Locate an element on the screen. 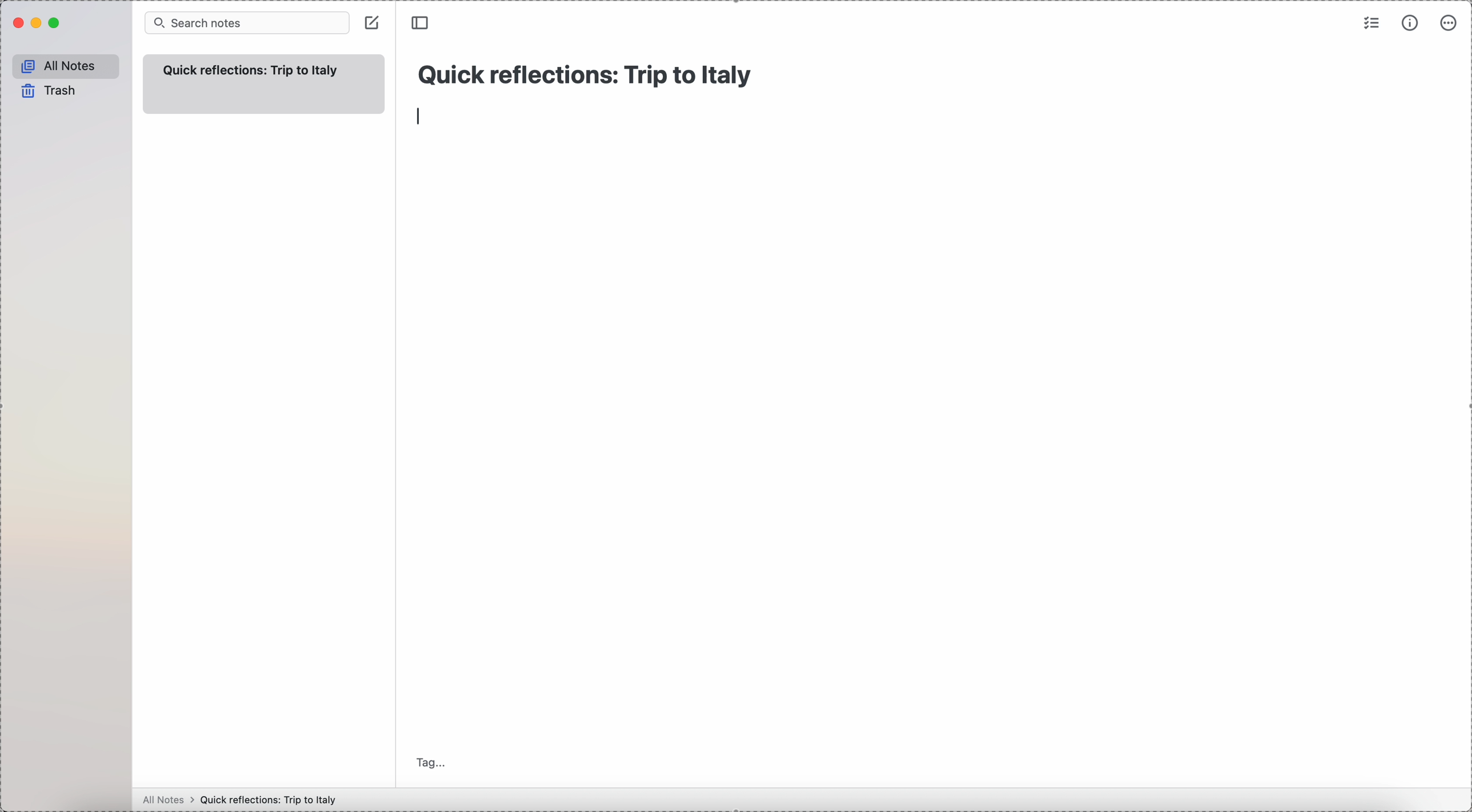 Image resolution: width=1472 pixels, height=812 pixels. Quick reflections: Trip to Italy is located at coordinates (270, 799).